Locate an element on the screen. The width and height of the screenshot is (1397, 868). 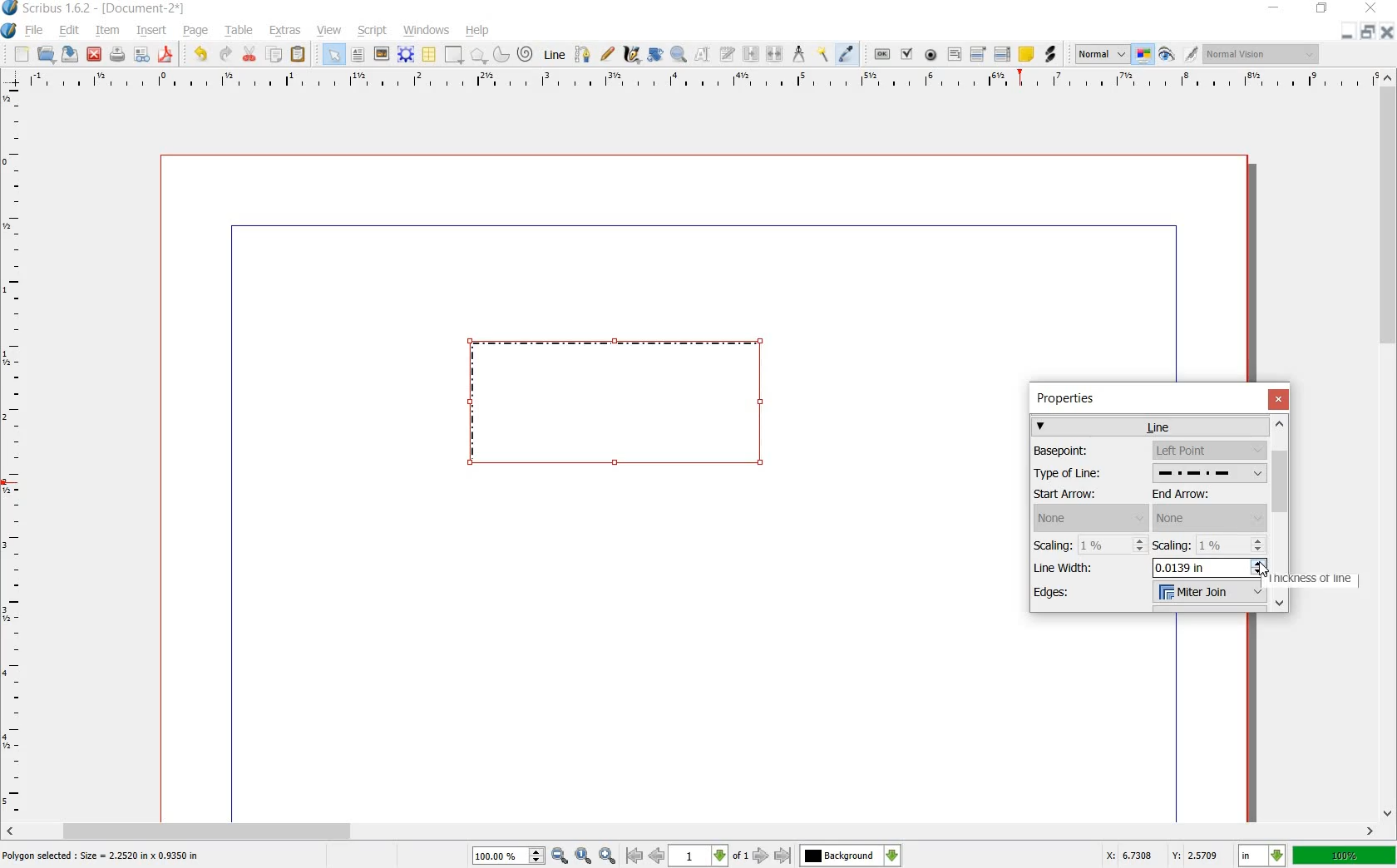
EDIT IN PREVIEW MODE is located at coordinates (1193, 54).